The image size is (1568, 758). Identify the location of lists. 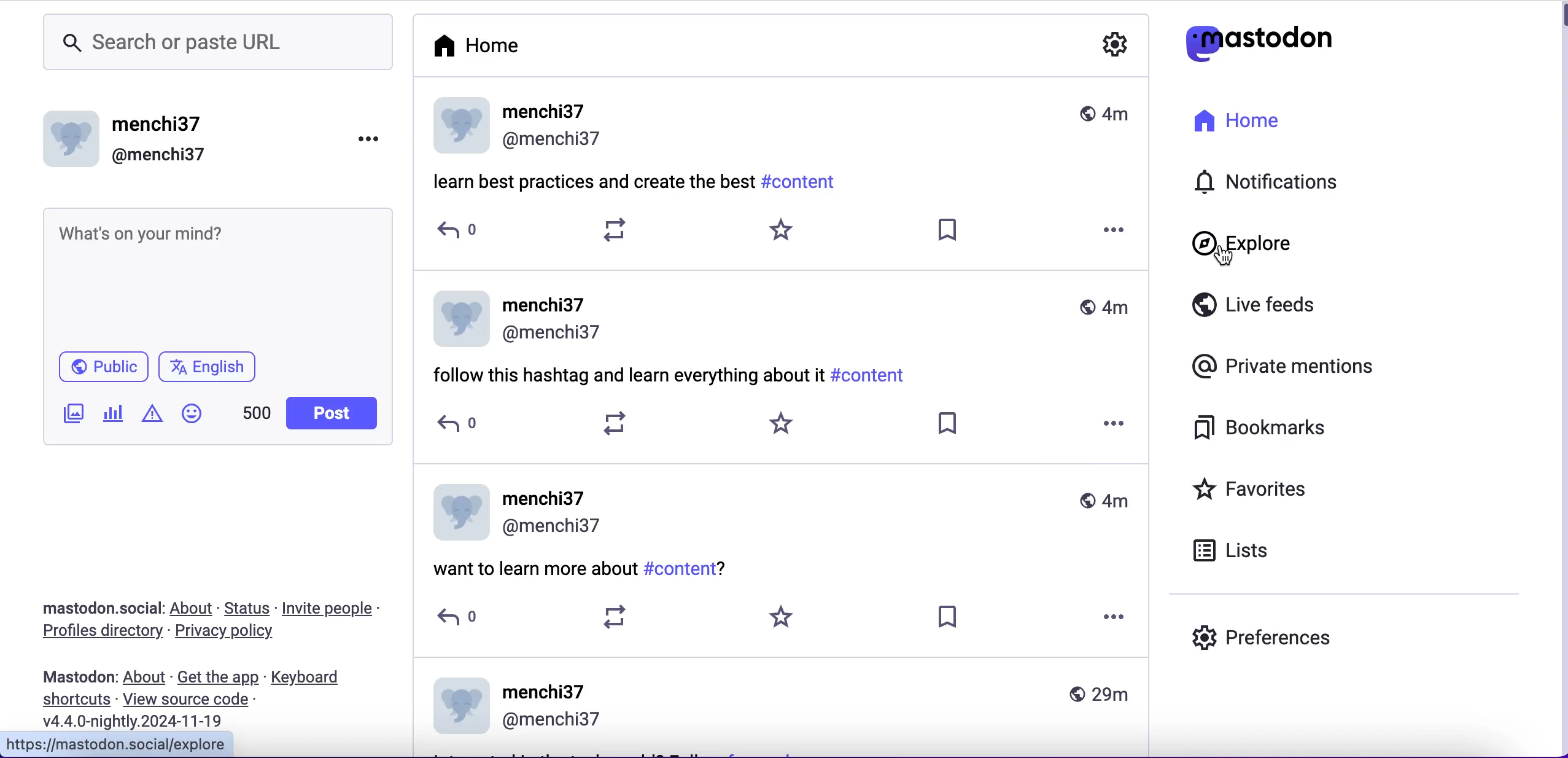
(1249, 549).